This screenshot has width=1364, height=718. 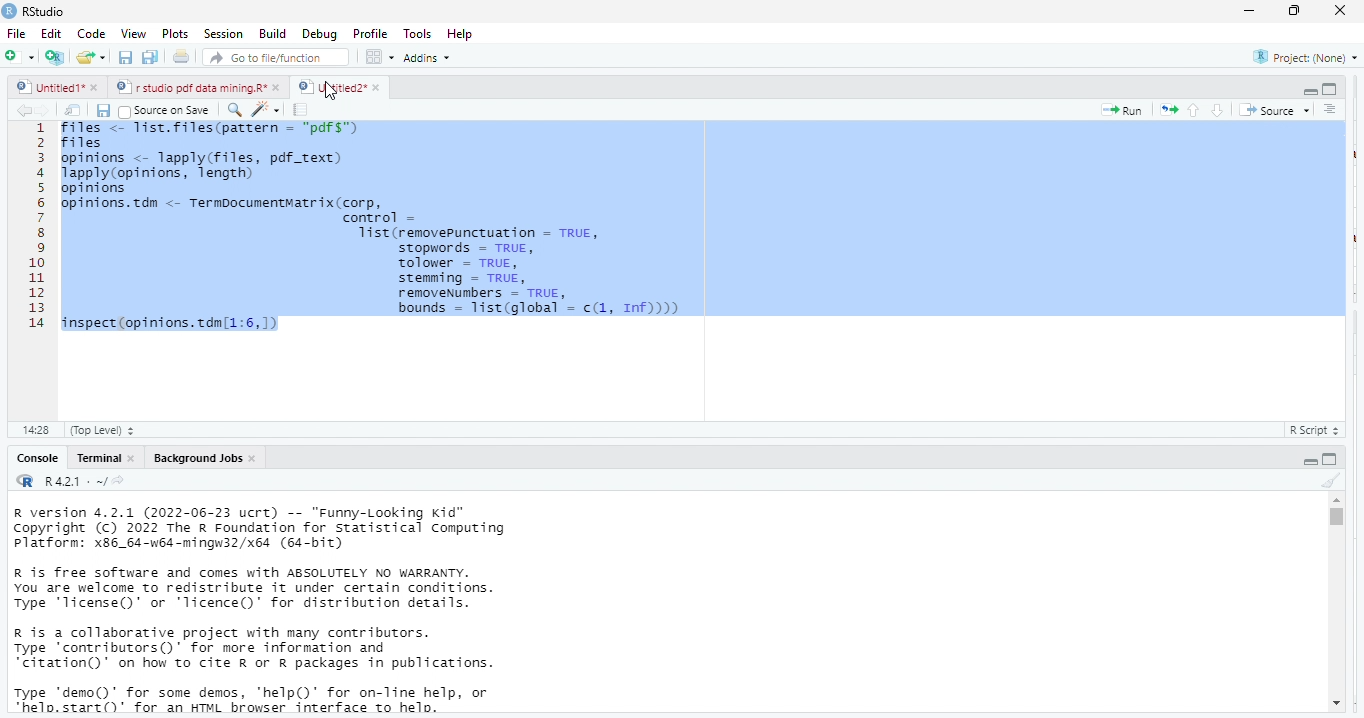 What do you see at coordinates (53, 57) in the screenshot?
I see `create a project` at bounding box center [53, 57].